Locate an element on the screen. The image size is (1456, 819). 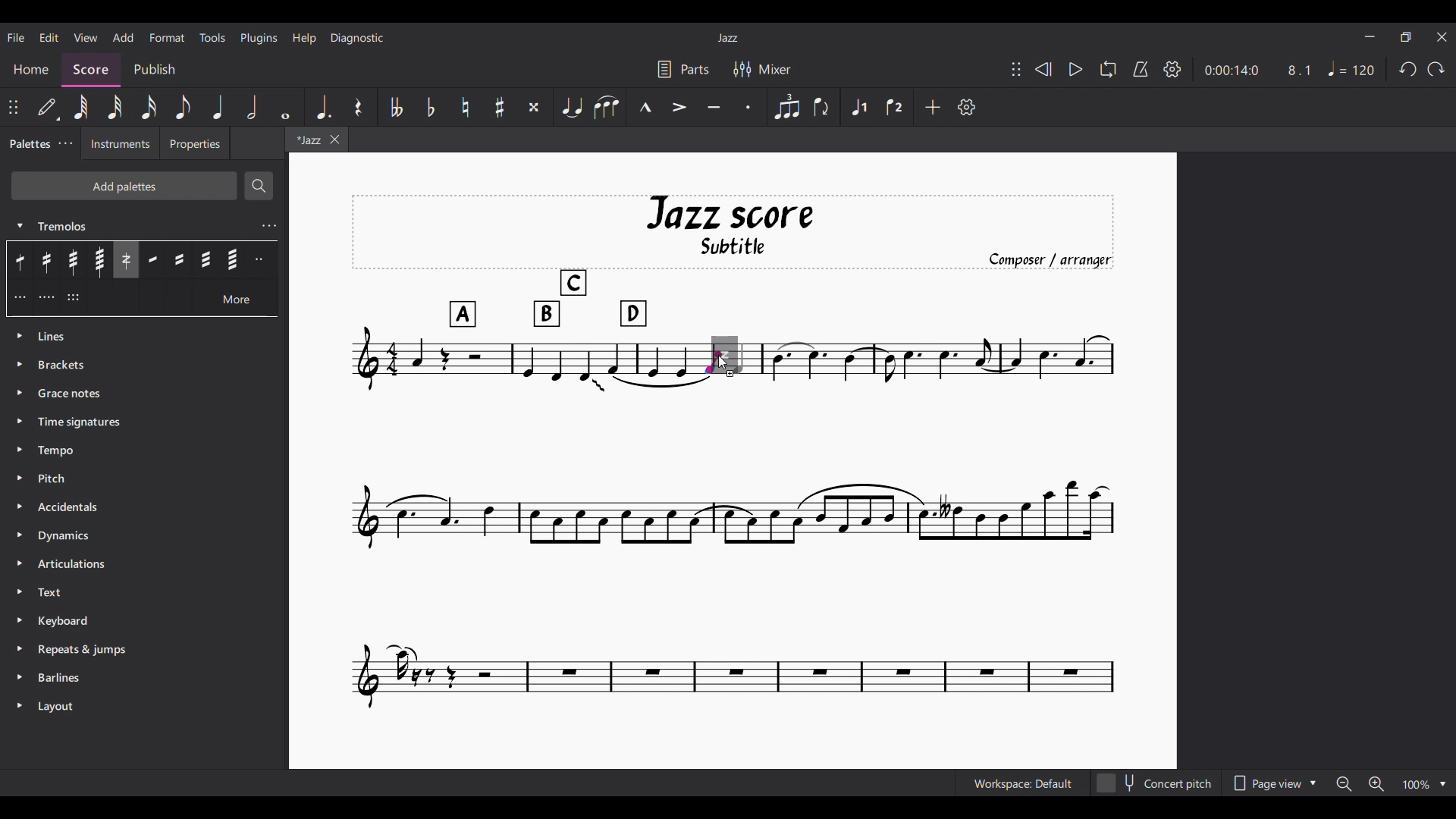
Time signature is located at coordinates (143, 422).